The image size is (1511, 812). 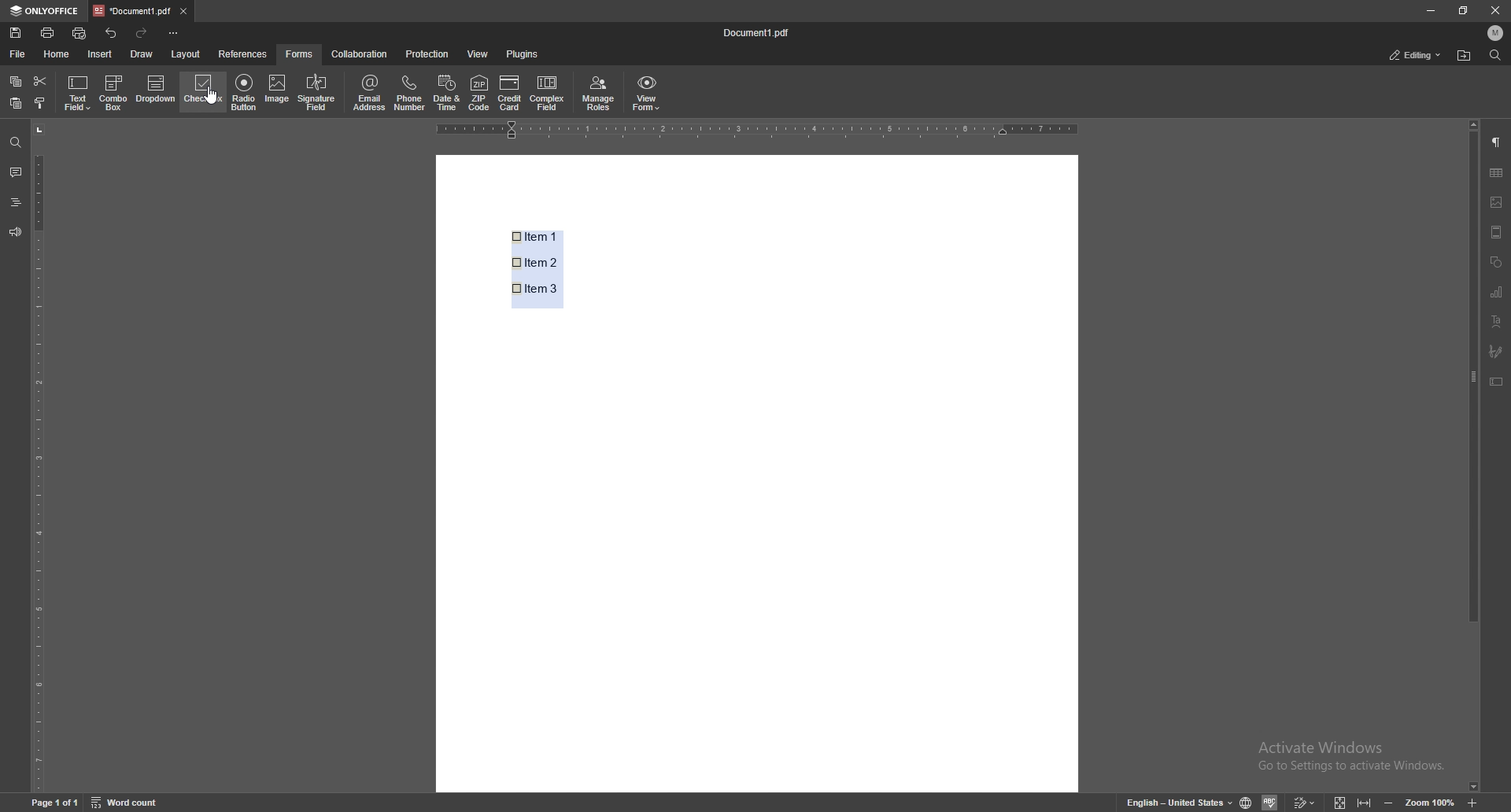 What do you see at coordinates (16, 33) in the screenshot?
I see `save` at bounding box center [16, 33].